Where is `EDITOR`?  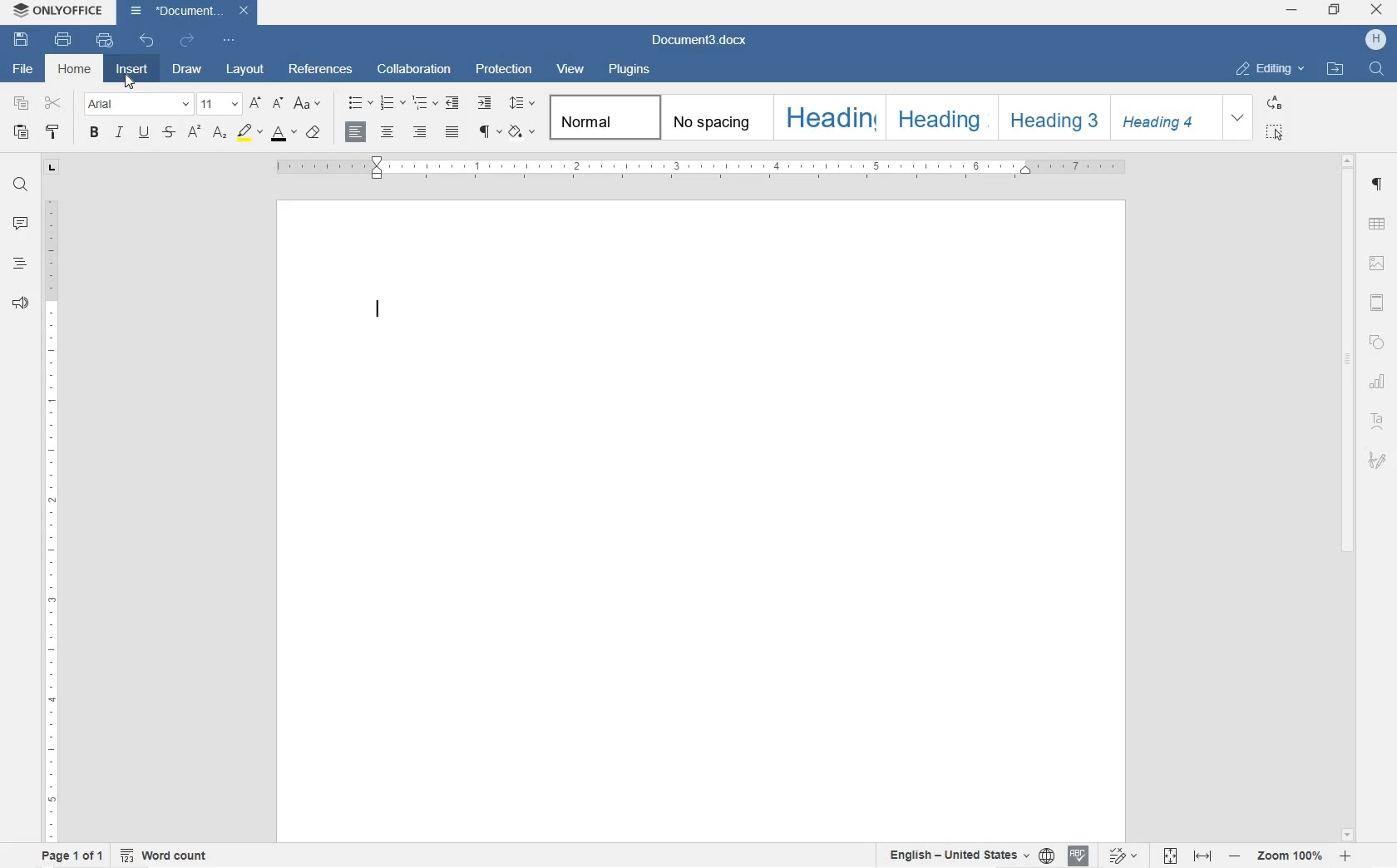 EDITOR is located at coordinates (378, 313).